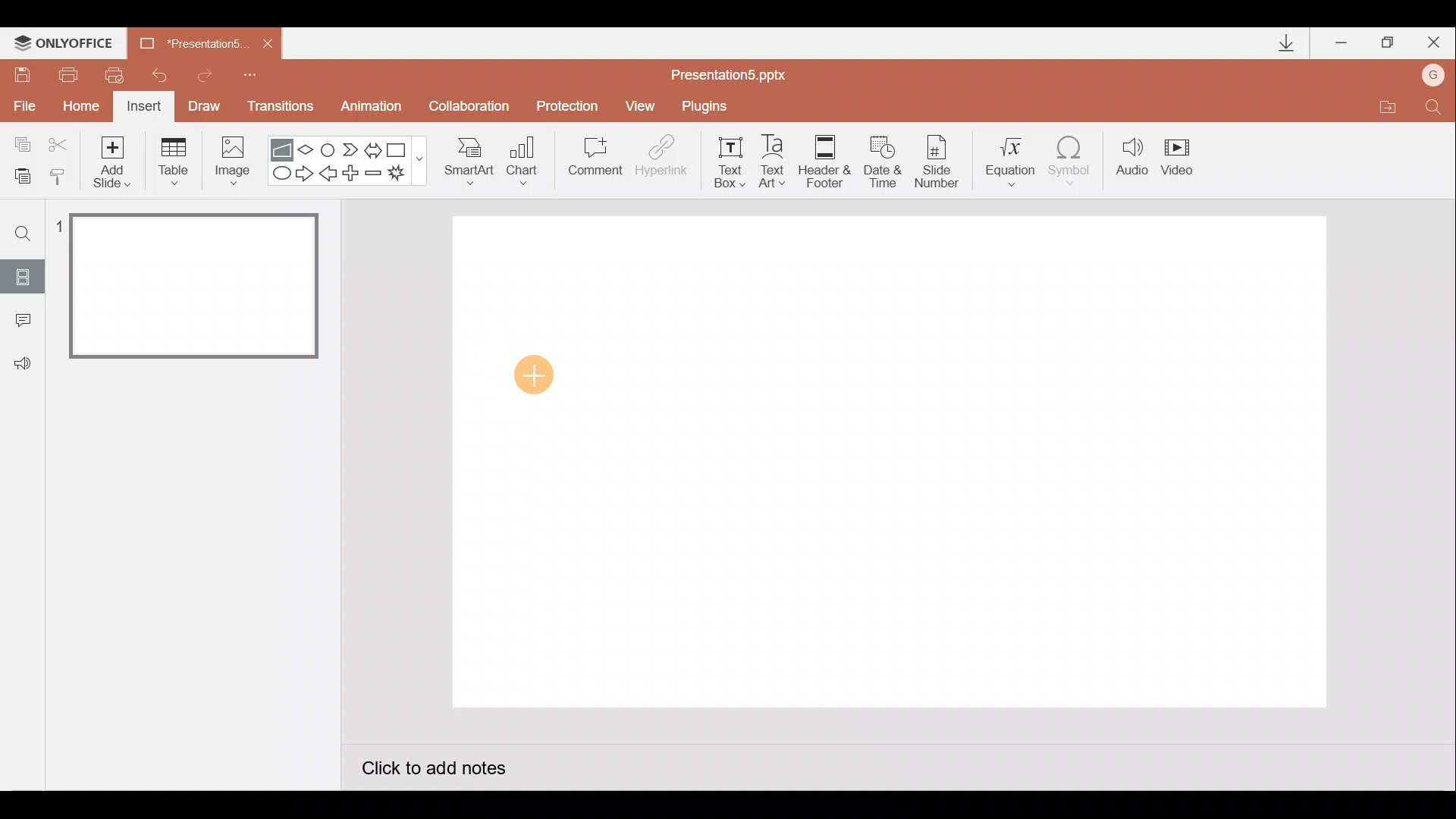 This screenshot has height=819, width=1456. I want to click on Cut, so click(61, 142).